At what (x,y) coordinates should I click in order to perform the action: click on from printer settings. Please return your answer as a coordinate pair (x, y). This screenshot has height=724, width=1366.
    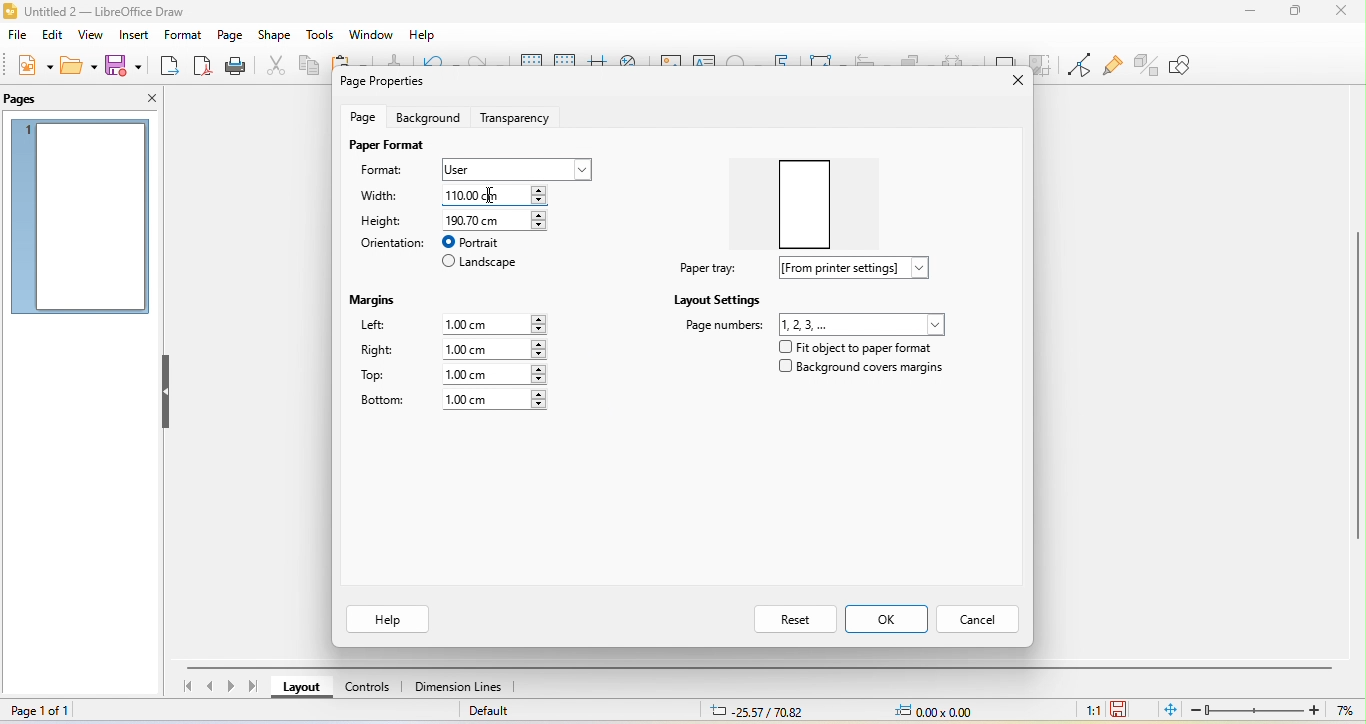
    Looking at the image, I should click on (862, 268).